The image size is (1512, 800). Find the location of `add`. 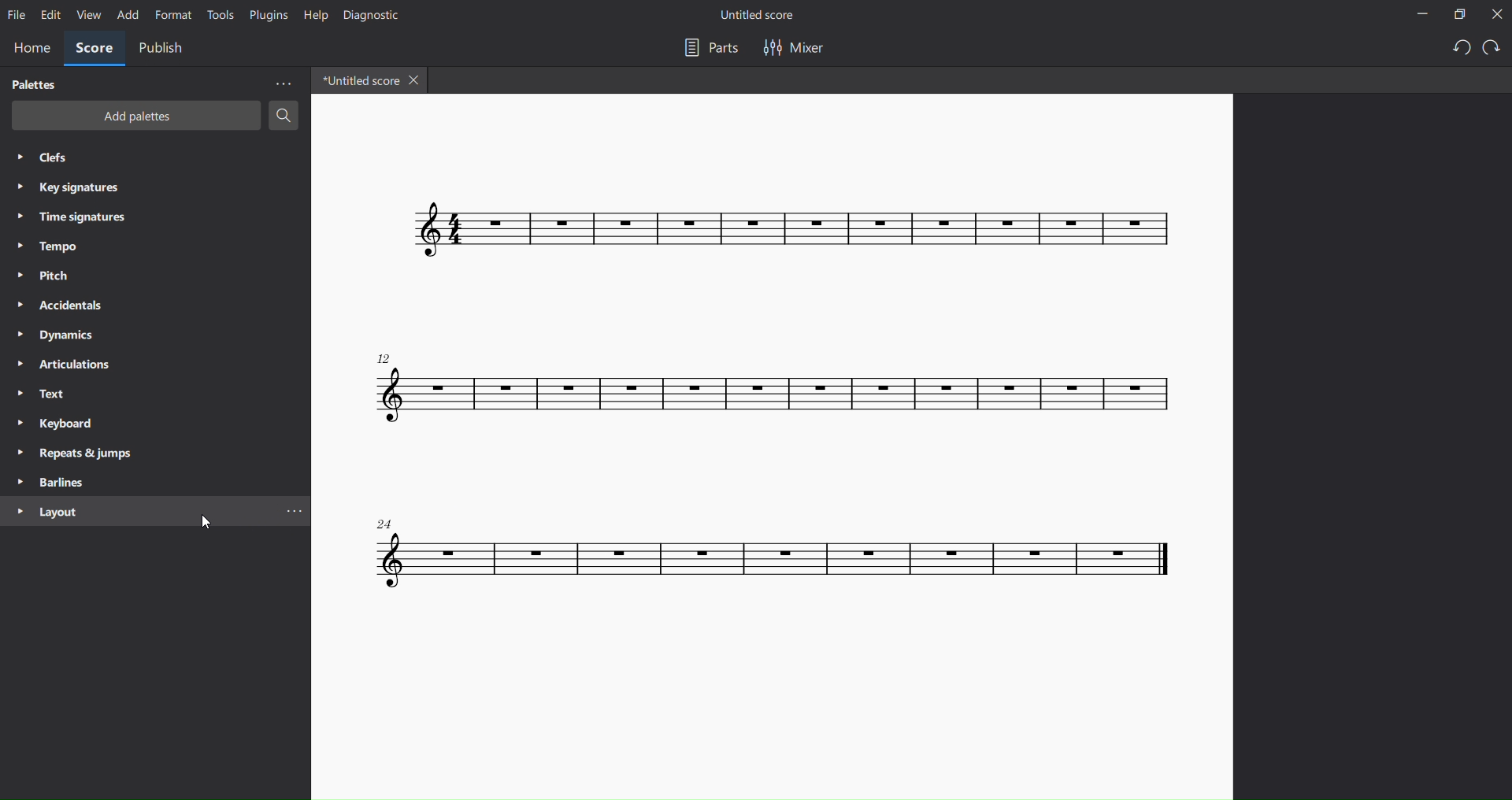

add is located at coordinates (127, 16).